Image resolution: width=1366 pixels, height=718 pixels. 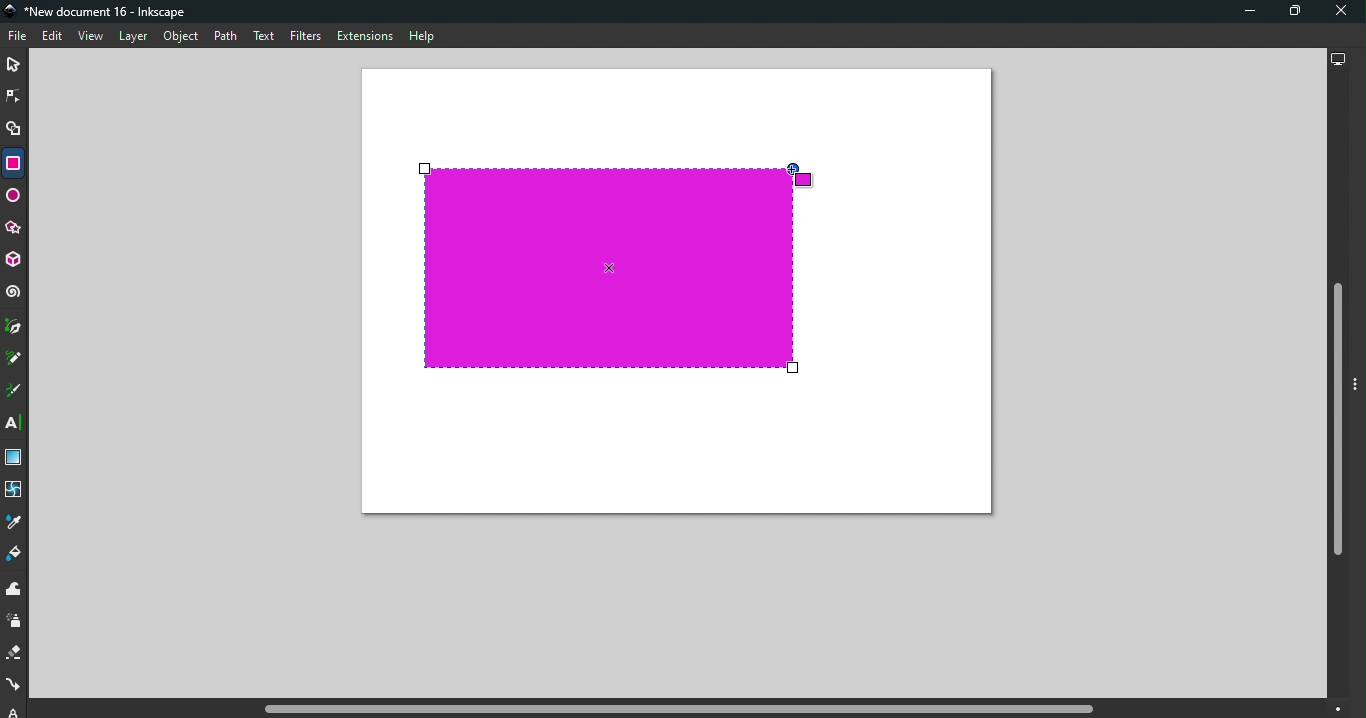 I want to click on Tweak tool, so click(x=18, y=590).